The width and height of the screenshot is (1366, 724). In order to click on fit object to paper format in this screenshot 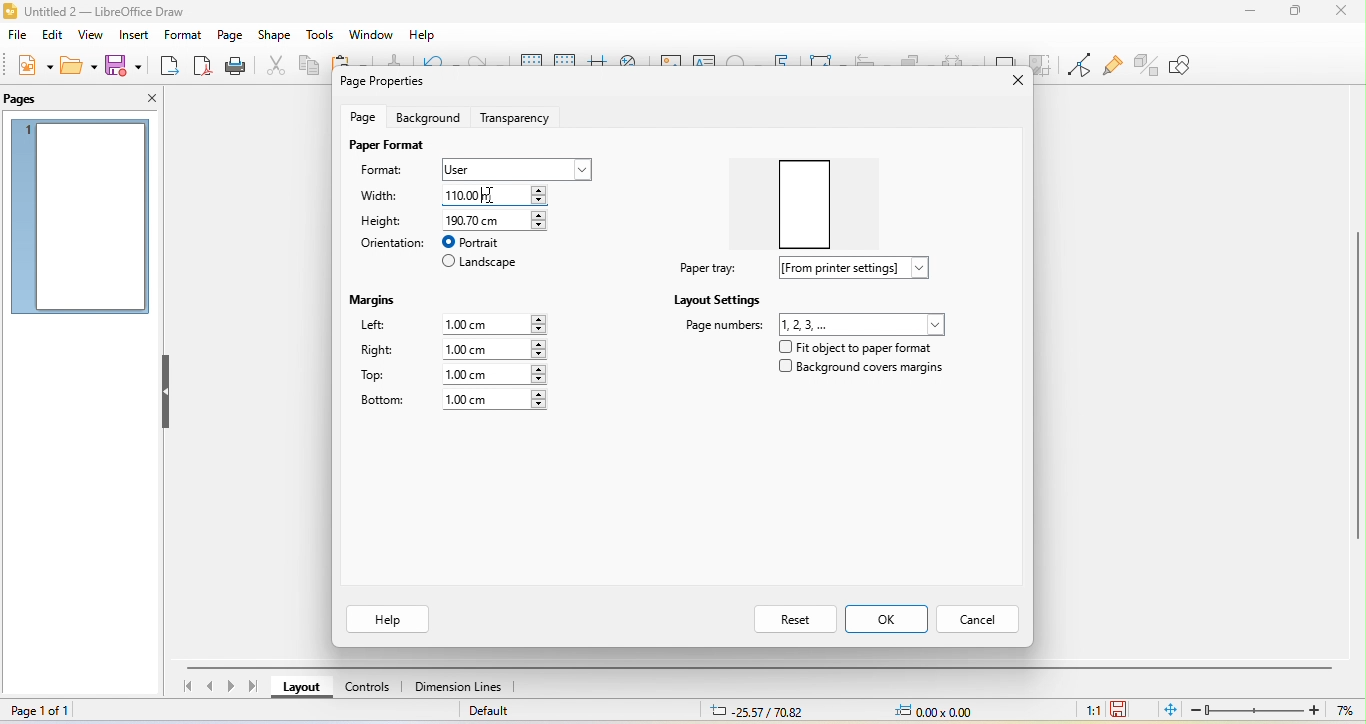, I will do `click(853, 347)`.